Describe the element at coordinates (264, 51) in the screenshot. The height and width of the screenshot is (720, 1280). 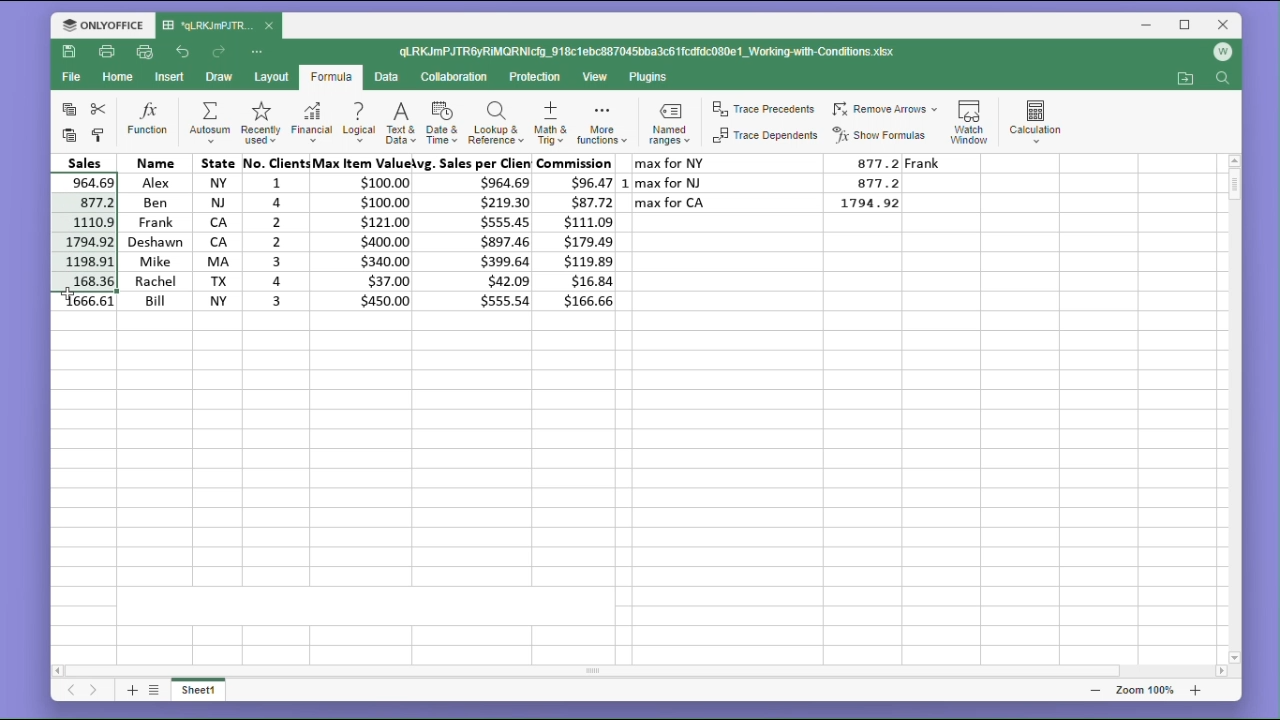
I see `customize quick access toolbar` at that location.